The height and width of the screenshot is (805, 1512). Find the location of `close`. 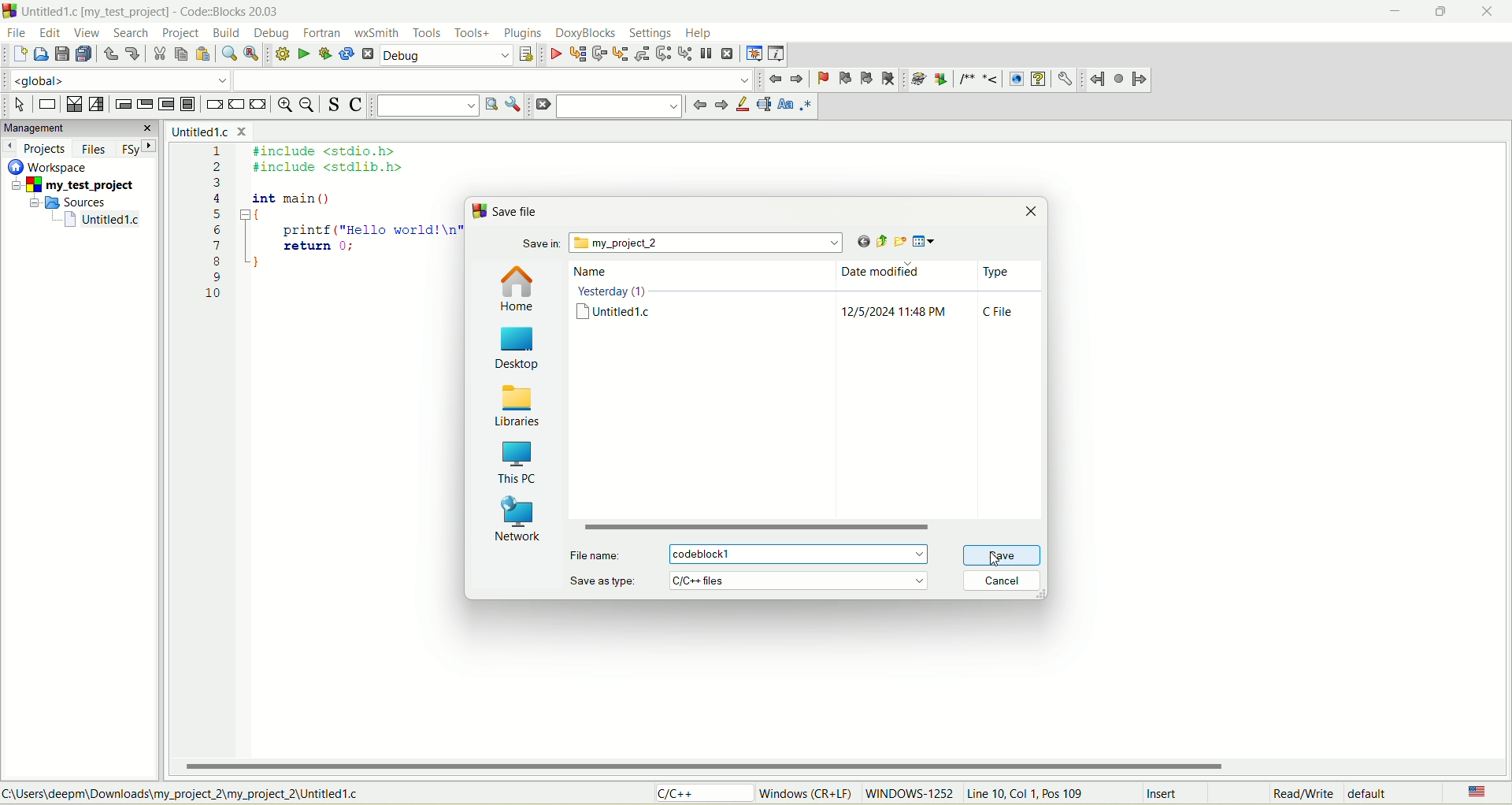

close is located at coordinates (1034, 213).